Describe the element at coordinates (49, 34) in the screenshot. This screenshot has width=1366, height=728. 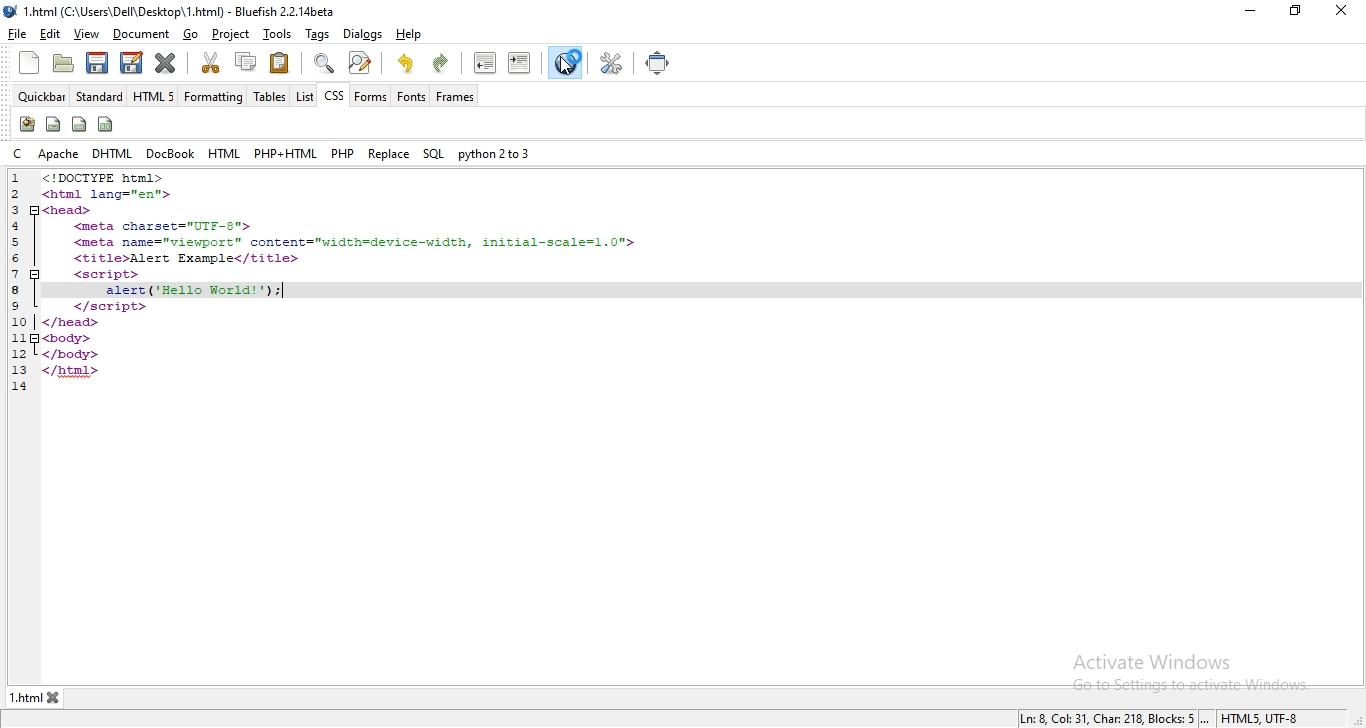
I see `edit` at that location.